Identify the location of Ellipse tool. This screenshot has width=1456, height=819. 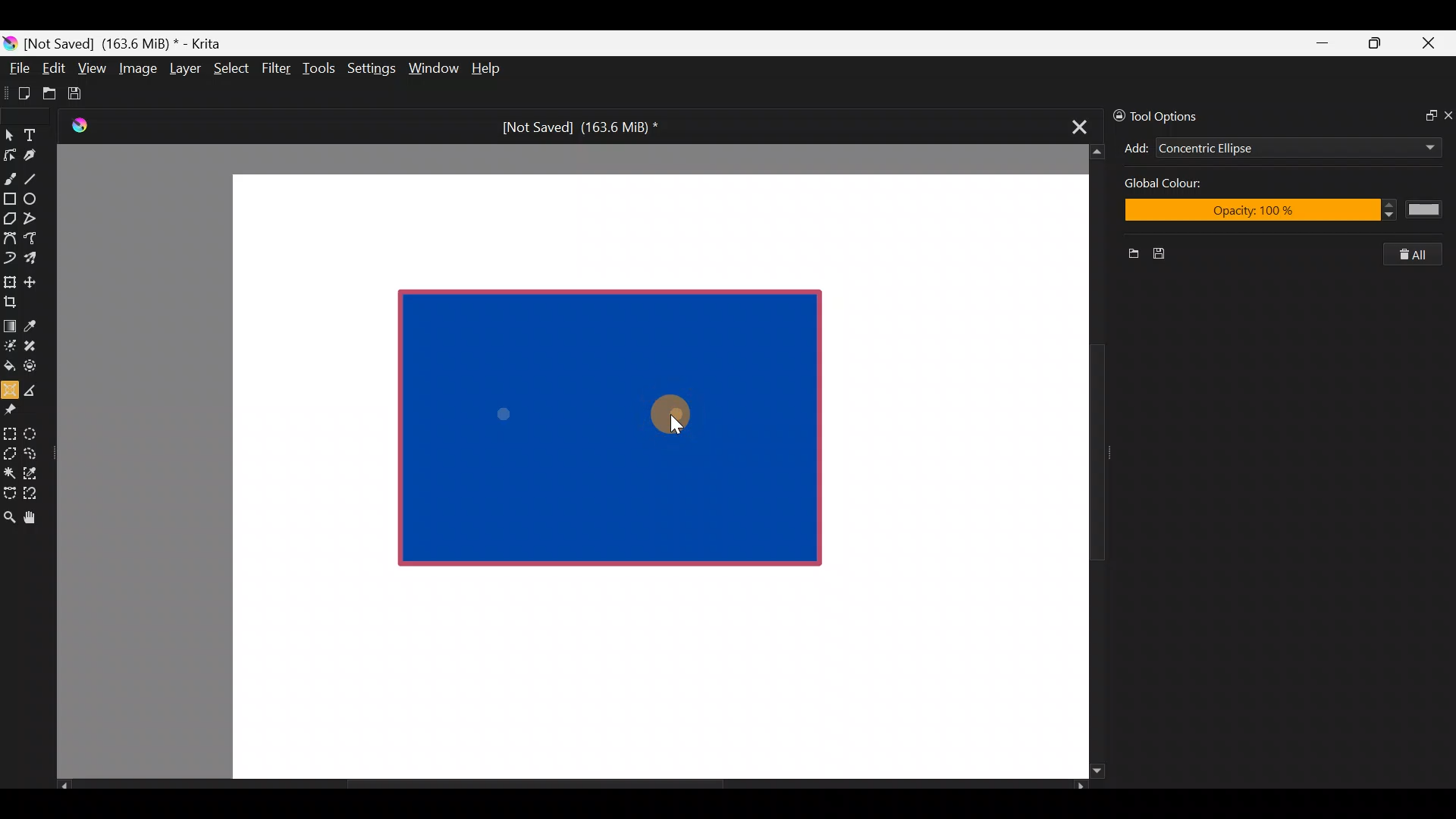
(37, 197).